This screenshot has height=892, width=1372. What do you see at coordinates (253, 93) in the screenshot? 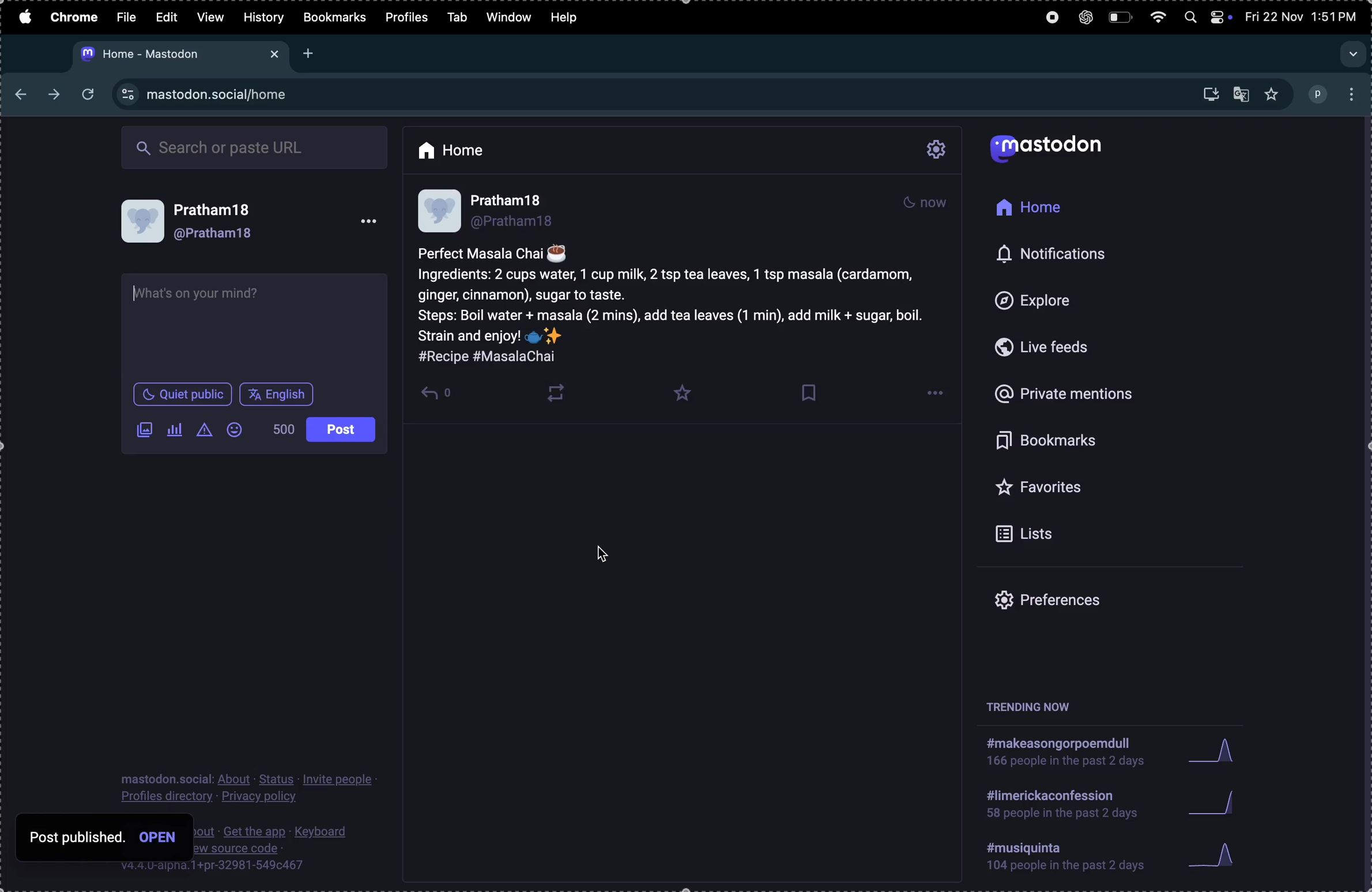
I see `site url` at bounding box center [253, 93].